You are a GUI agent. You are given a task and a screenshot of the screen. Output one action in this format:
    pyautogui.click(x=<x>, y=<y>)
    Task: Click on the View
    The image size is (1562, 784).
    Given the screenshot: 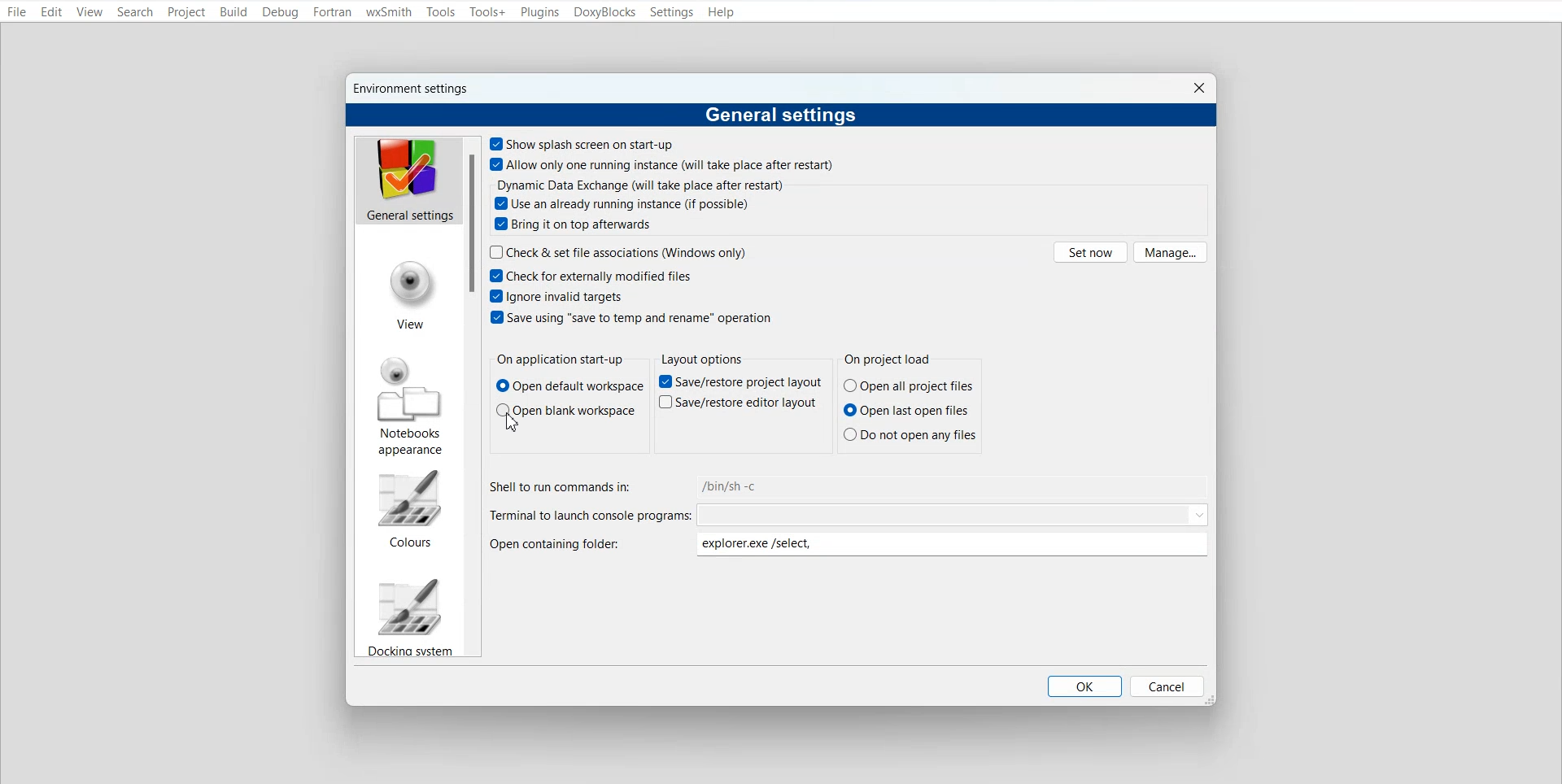 What is the action you would take?
    pyautogui.click(x=89, y=13)
    